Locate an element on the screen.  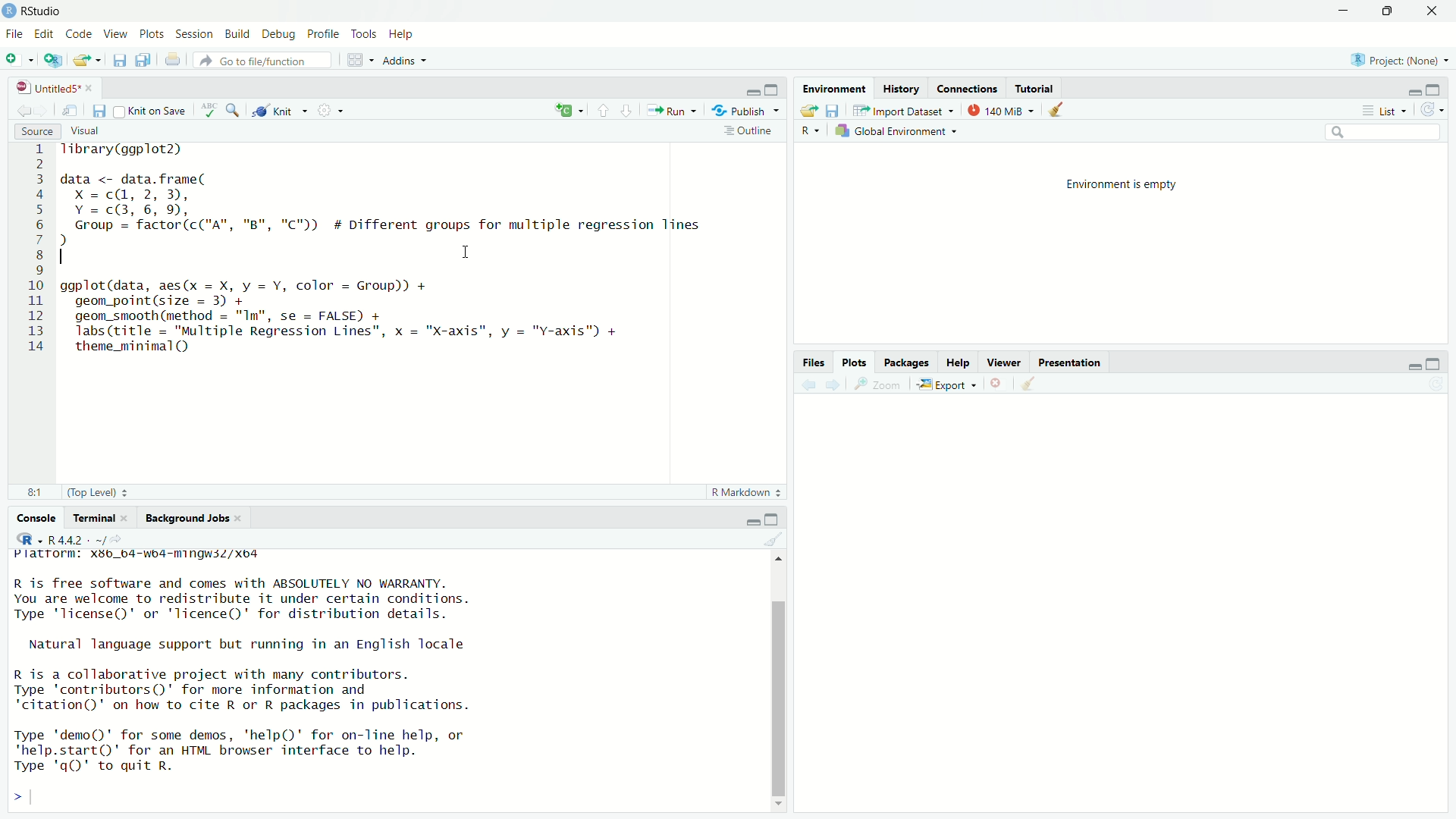
| UntitledS* « is located at coordinates (53, 86).